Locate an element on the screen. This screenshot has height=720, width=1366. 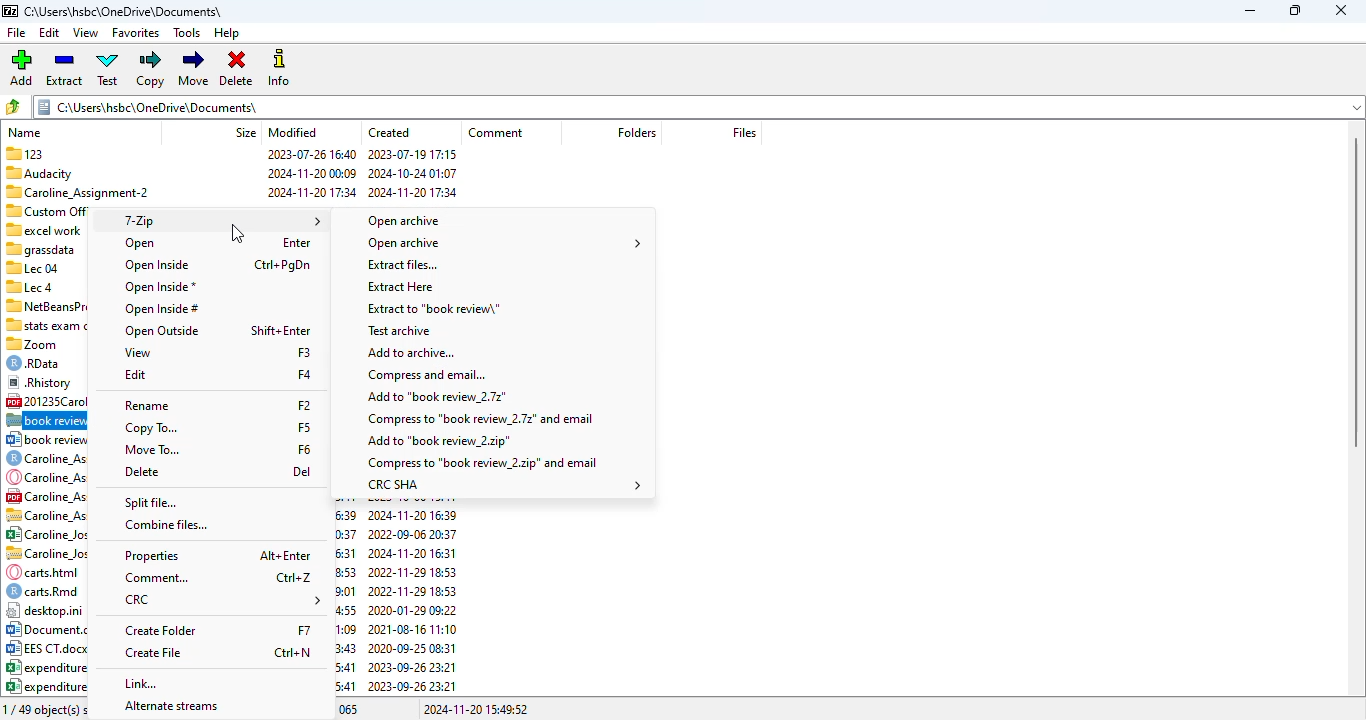
shortcut for open inside is located at coordinates (282, 265).